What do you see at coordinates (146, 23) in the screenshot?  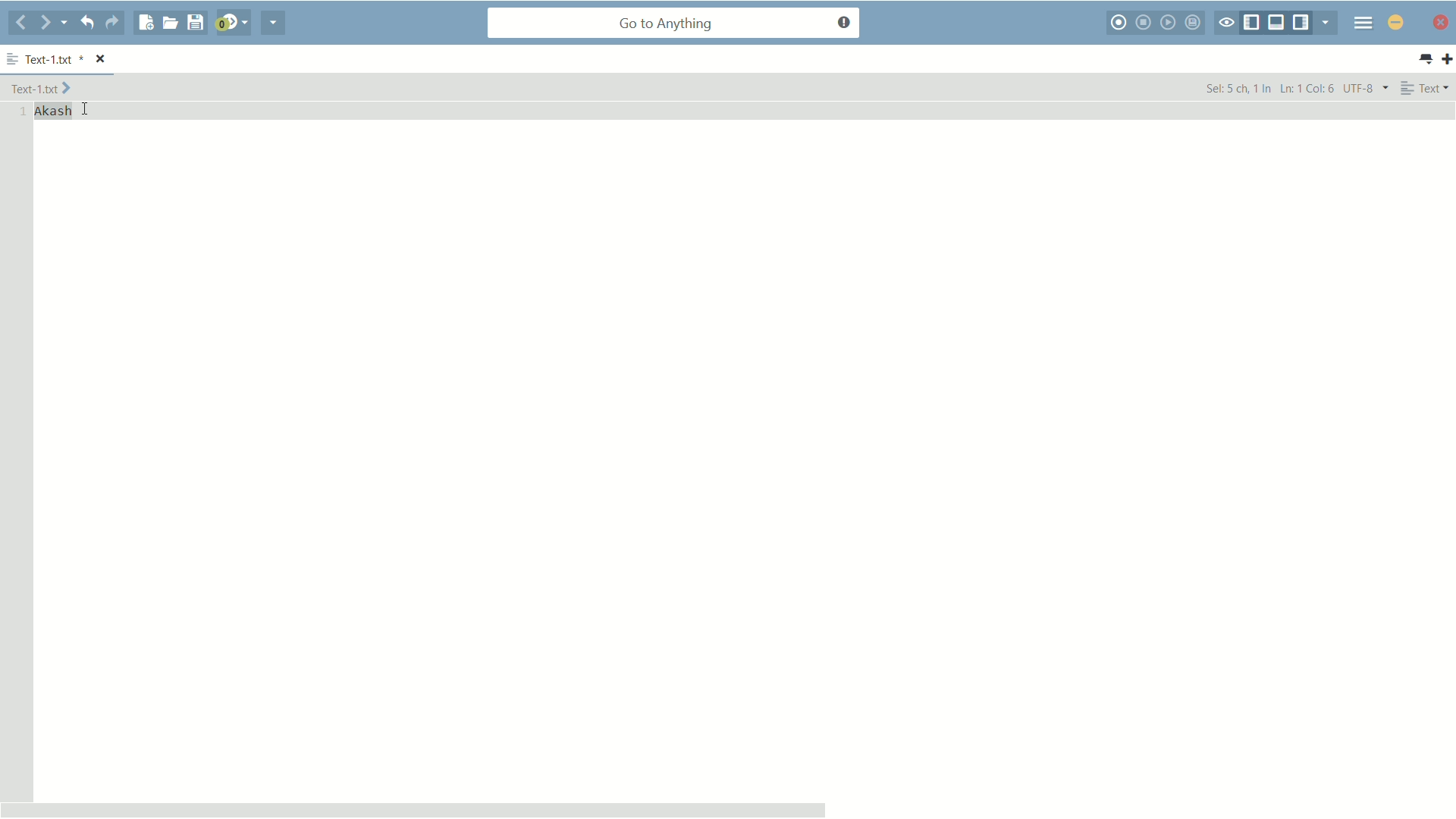 I see `new file` at bounding box center [146, 23].